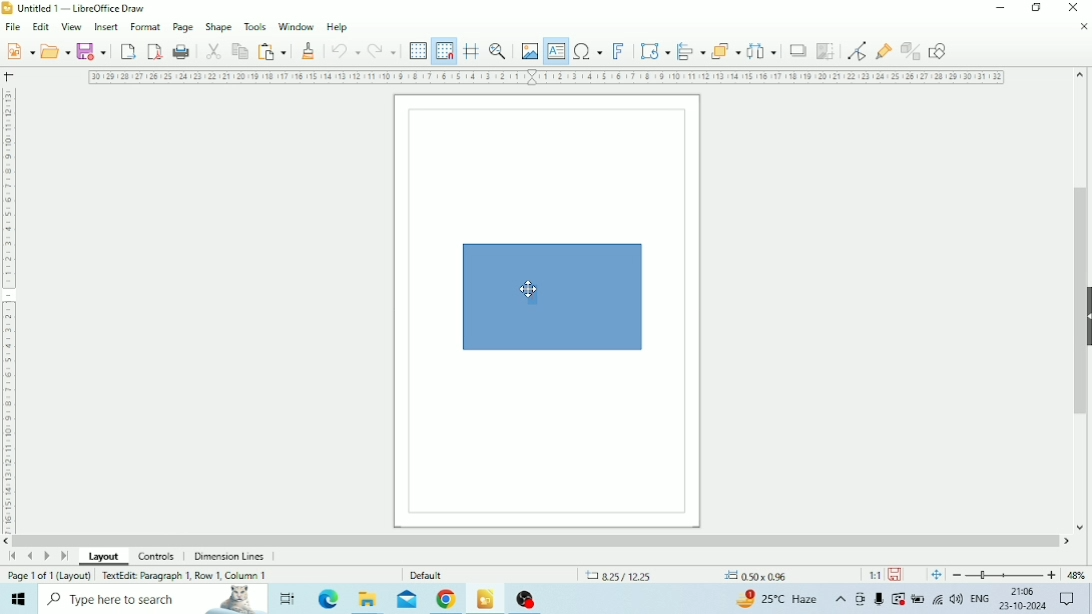 The height and width of the screenshot is (614, 1092). What do you see at coordinates (367, 600) in the screenshot?
I see `File Explorer` at bounding box center [367, 600].